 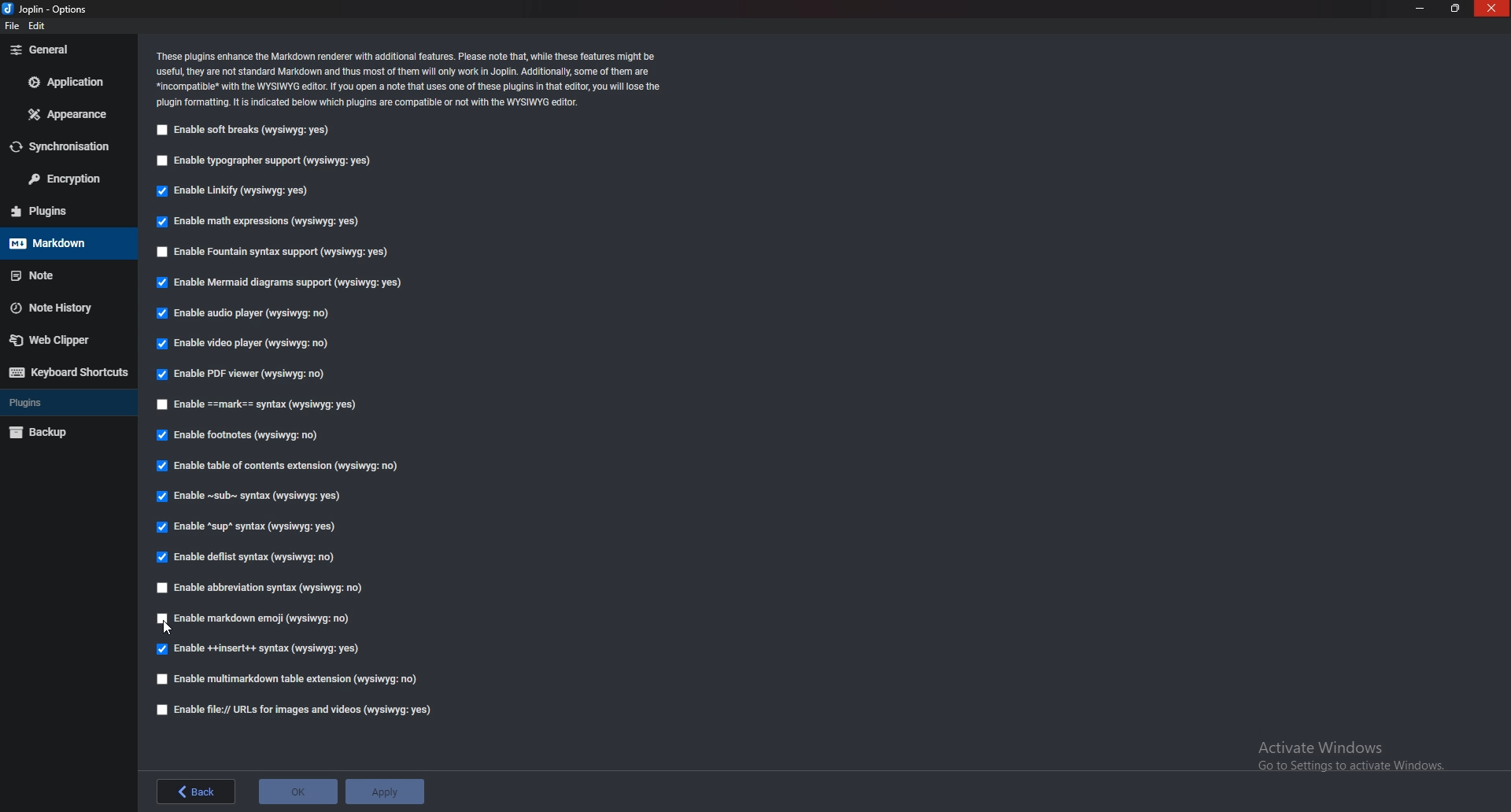 What do you see at coordinates (66, 374) in the screenshot?
I see `Keyboard shortcuts` at bounding box center [66, 374].